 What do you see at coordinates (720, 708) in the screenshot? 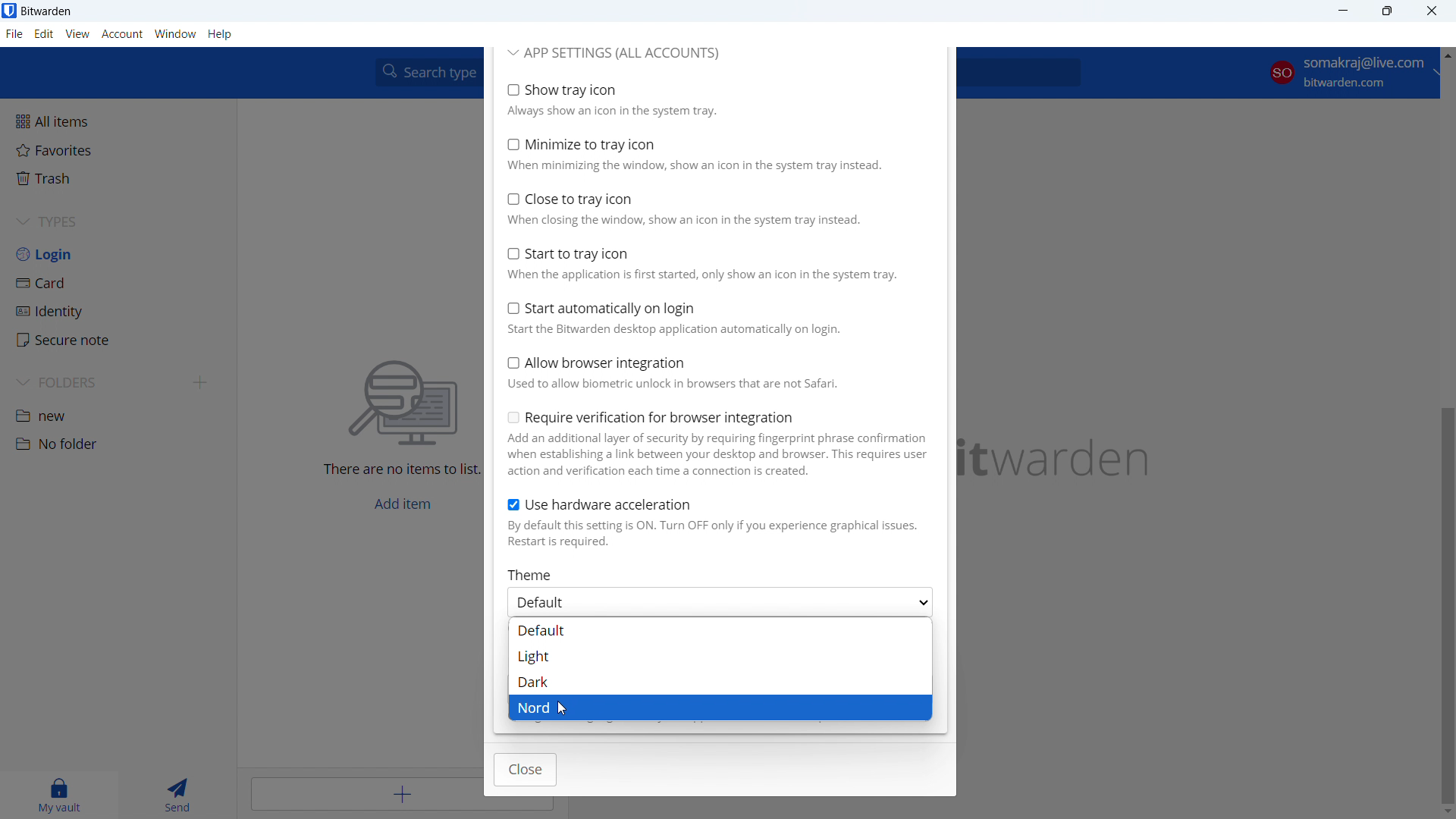
I see `nord` at bounding box center [720, 708].